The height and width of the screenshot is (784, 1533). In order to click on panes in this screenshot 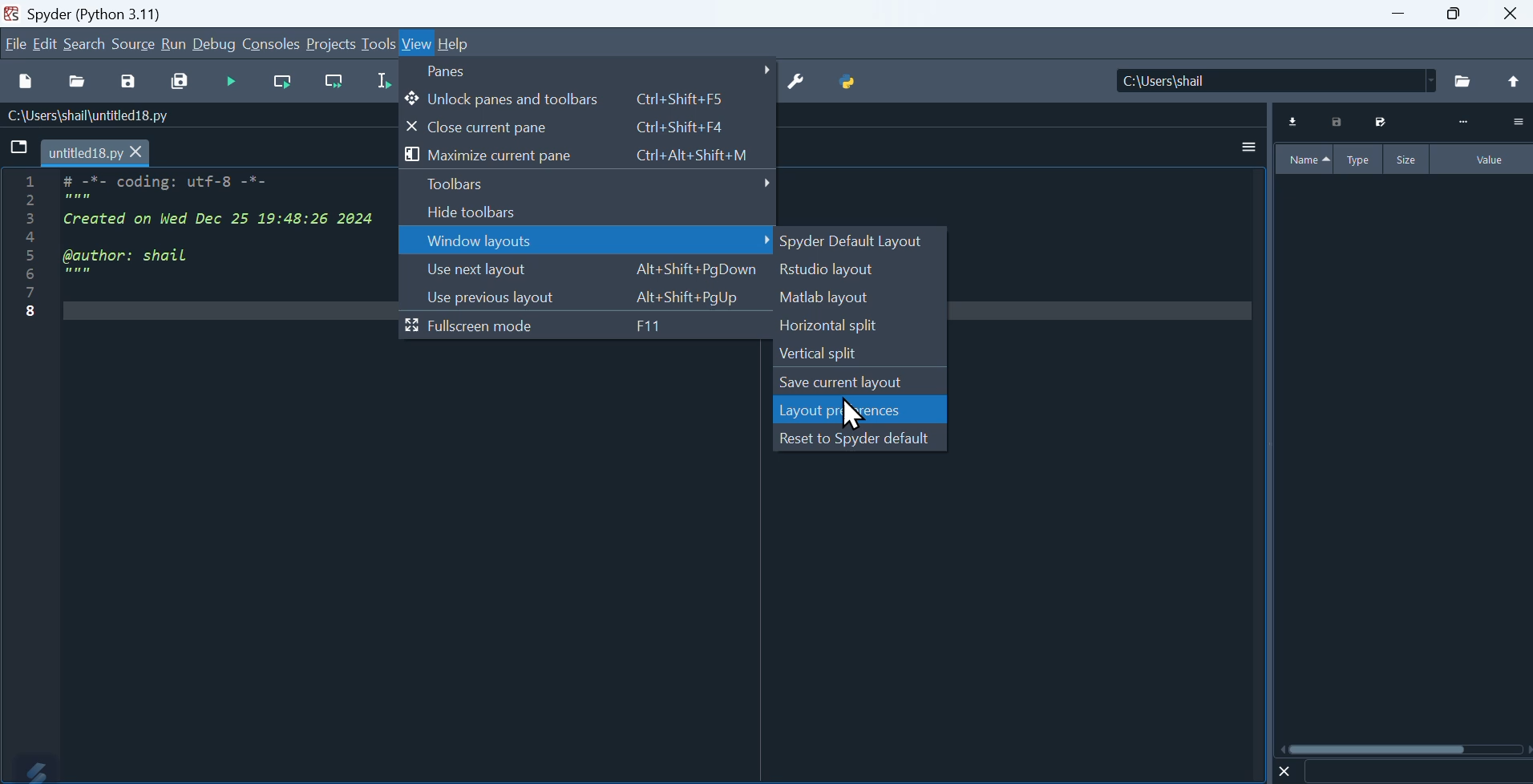, I will do `click(591, 71)`.